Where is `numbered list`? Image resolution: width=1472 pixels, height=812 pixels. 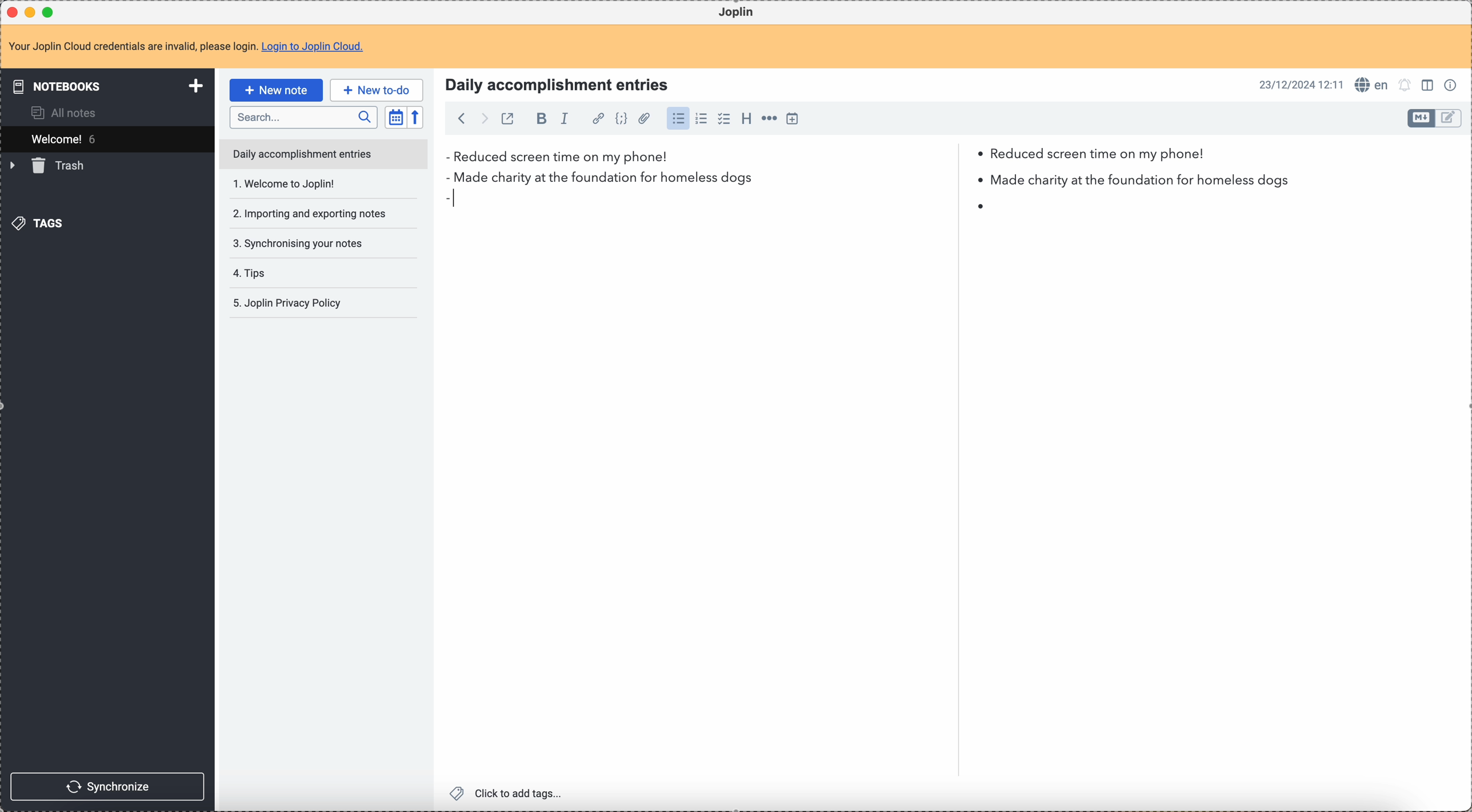 numbered list is located at coordinates (701, 120).